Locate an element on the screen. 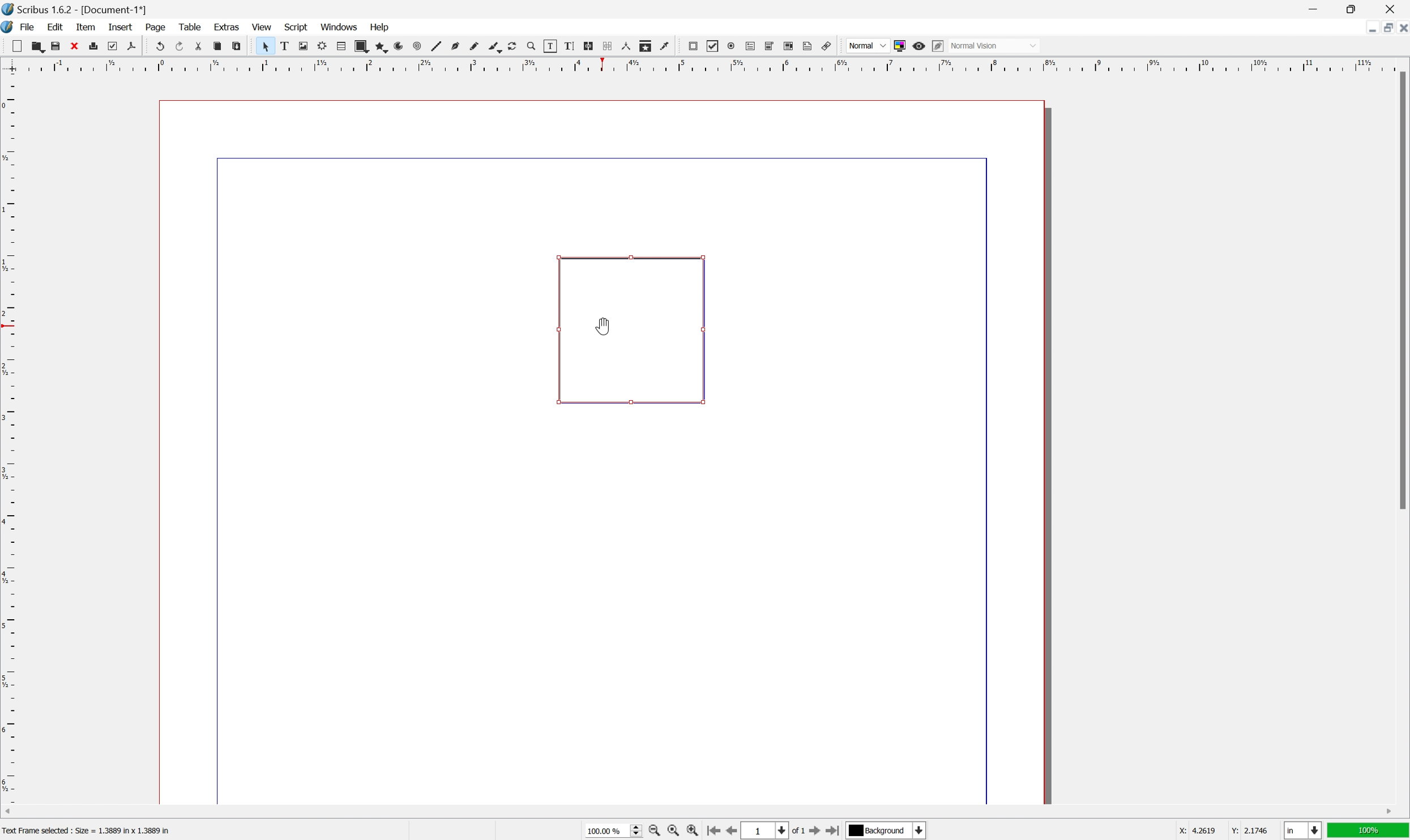  pdf push button is located at coordinates (693, 46).